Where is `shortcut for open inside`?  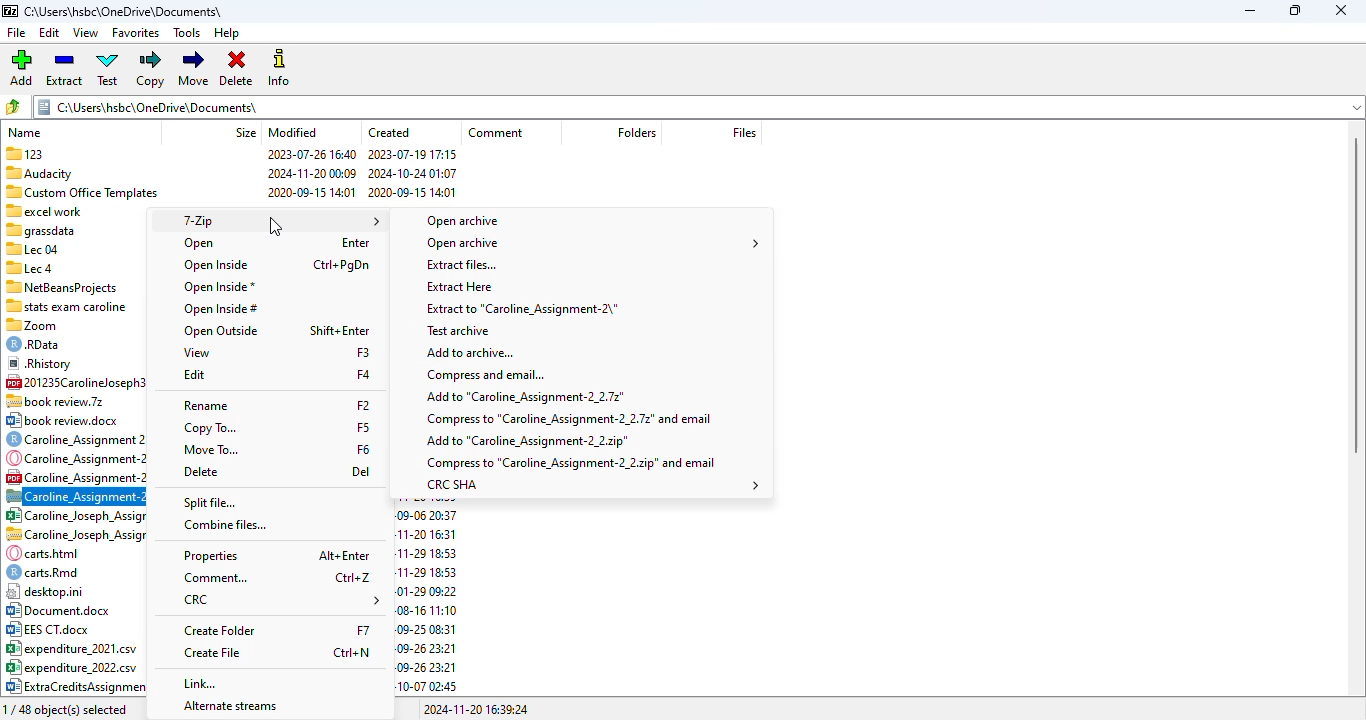 shortcut for open inside is located at coordinates (341, 265).